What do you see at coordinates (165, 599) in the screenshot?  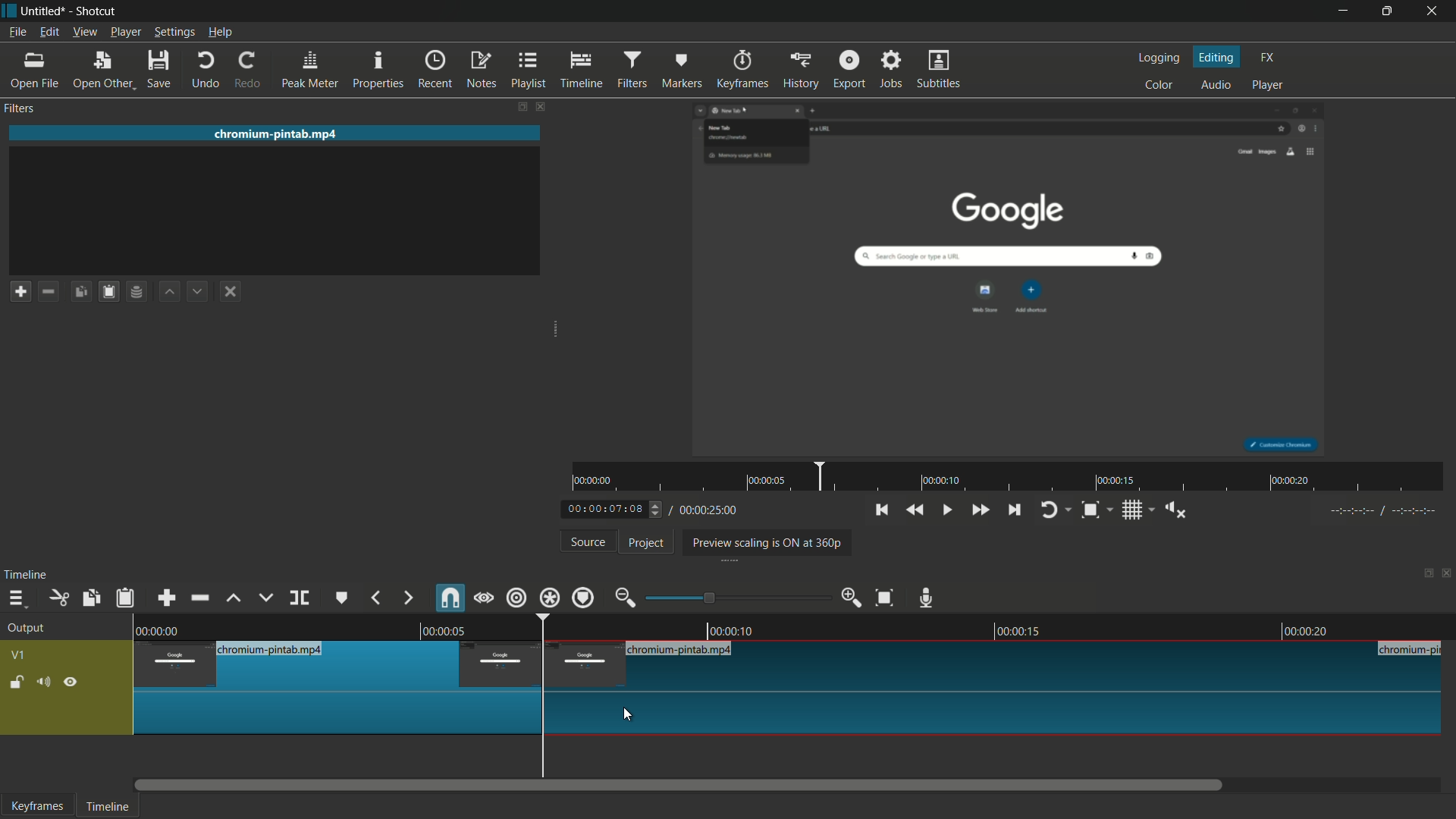 I see `append` at bounding box center [165, 599].